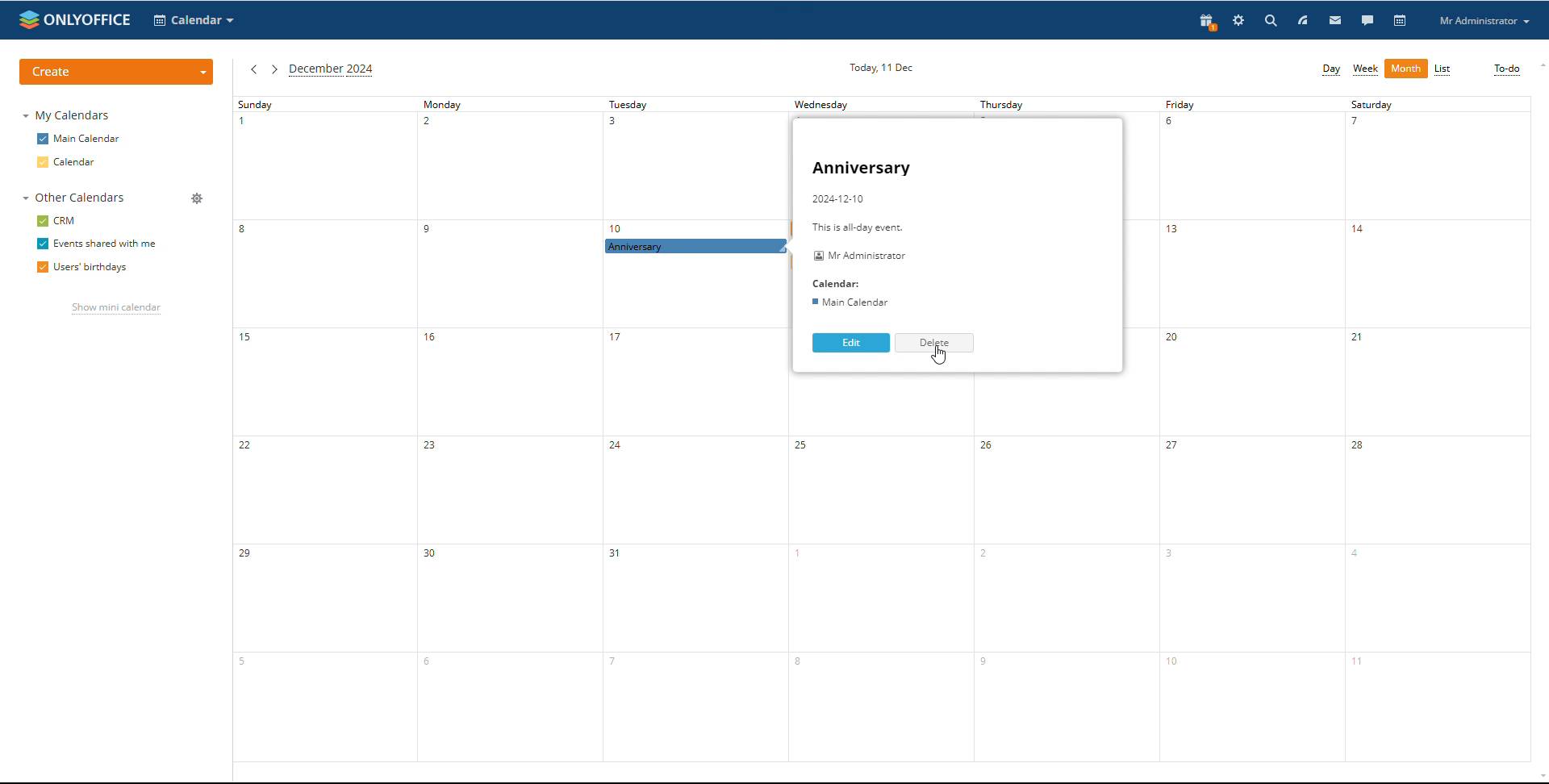 The width and height of the screenshot is (1549, 784). I want to click on saturday, so click(1438, 428).